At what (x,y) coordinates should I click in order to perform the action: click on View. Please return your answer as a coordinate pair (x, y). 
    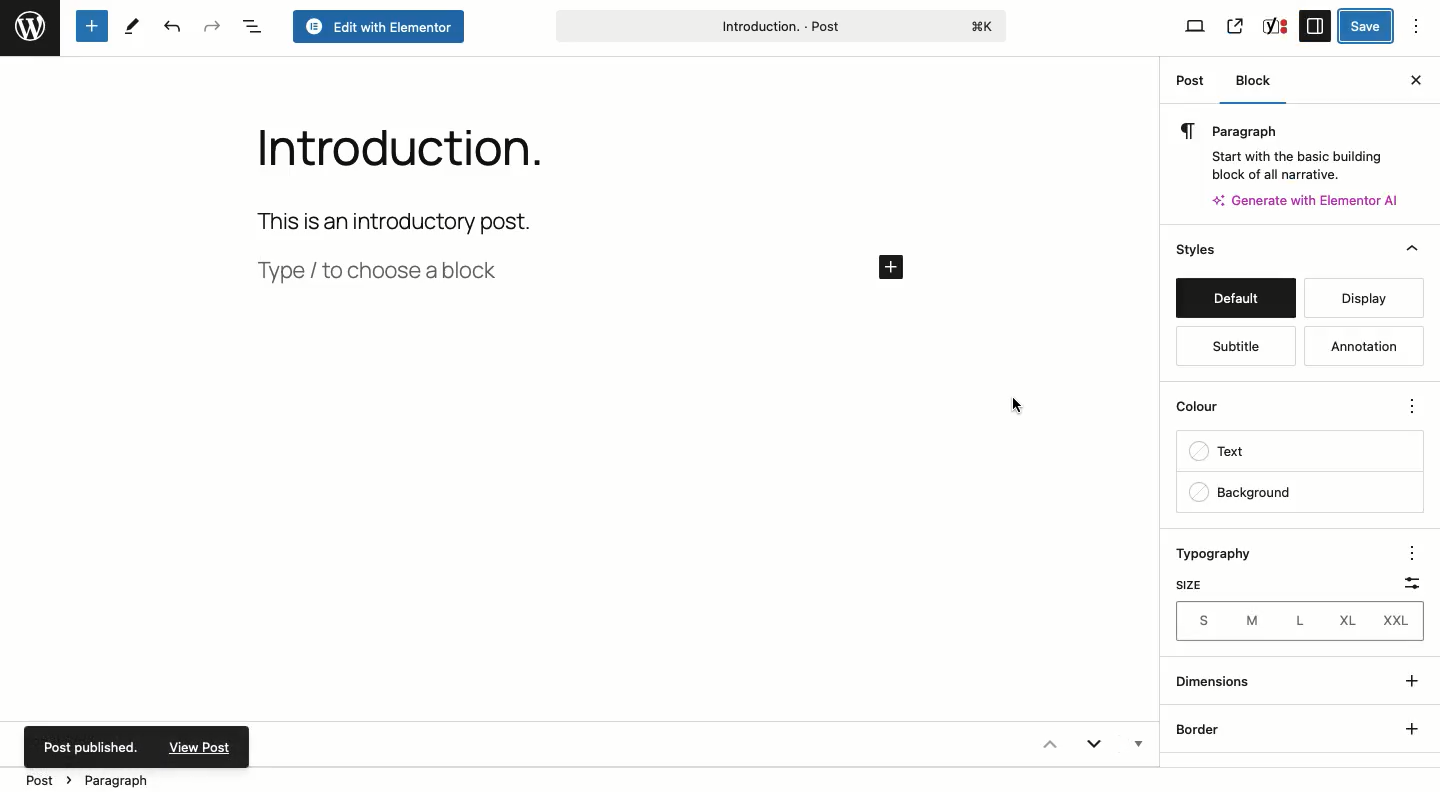
    Looking at the image, I should click on (1194, 27).